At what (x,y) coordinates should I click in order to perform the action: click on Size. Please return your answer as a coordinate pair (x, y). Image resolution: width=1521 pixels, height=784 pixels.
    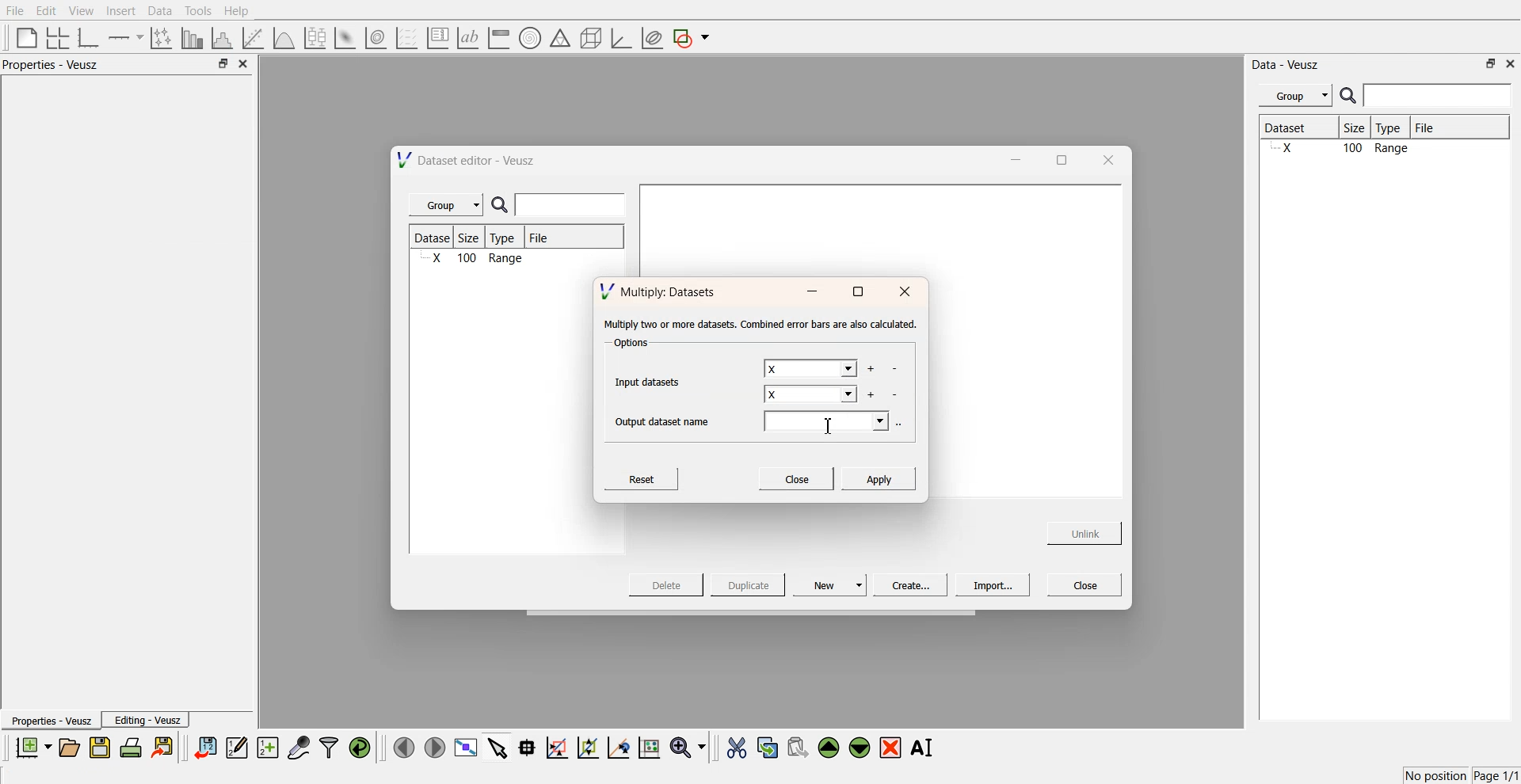
    Looking at the image, I should click on (474, 238).